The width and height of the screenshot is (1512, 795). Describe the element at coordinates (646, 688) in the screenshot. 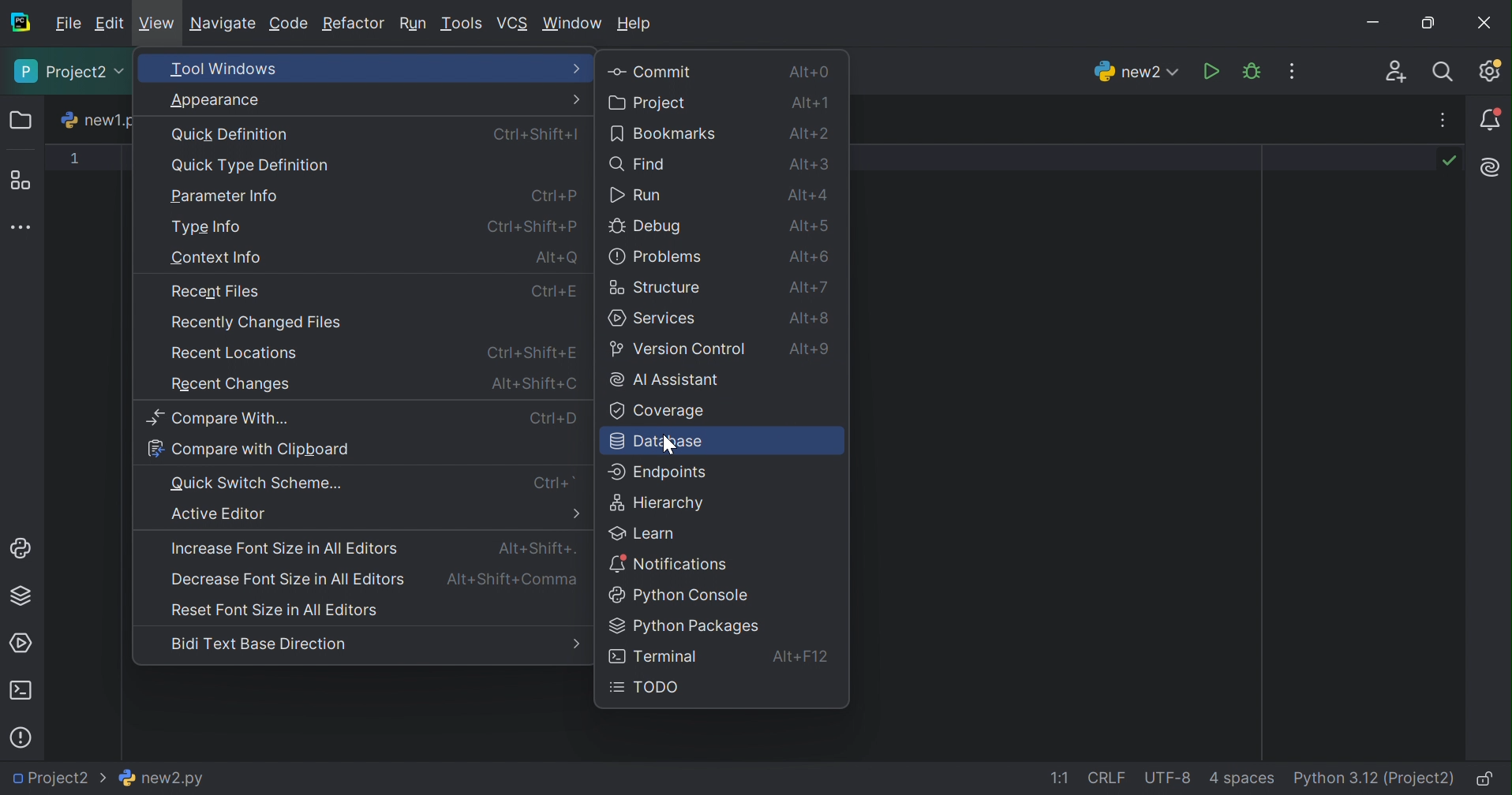

I see `TODO` at that location.